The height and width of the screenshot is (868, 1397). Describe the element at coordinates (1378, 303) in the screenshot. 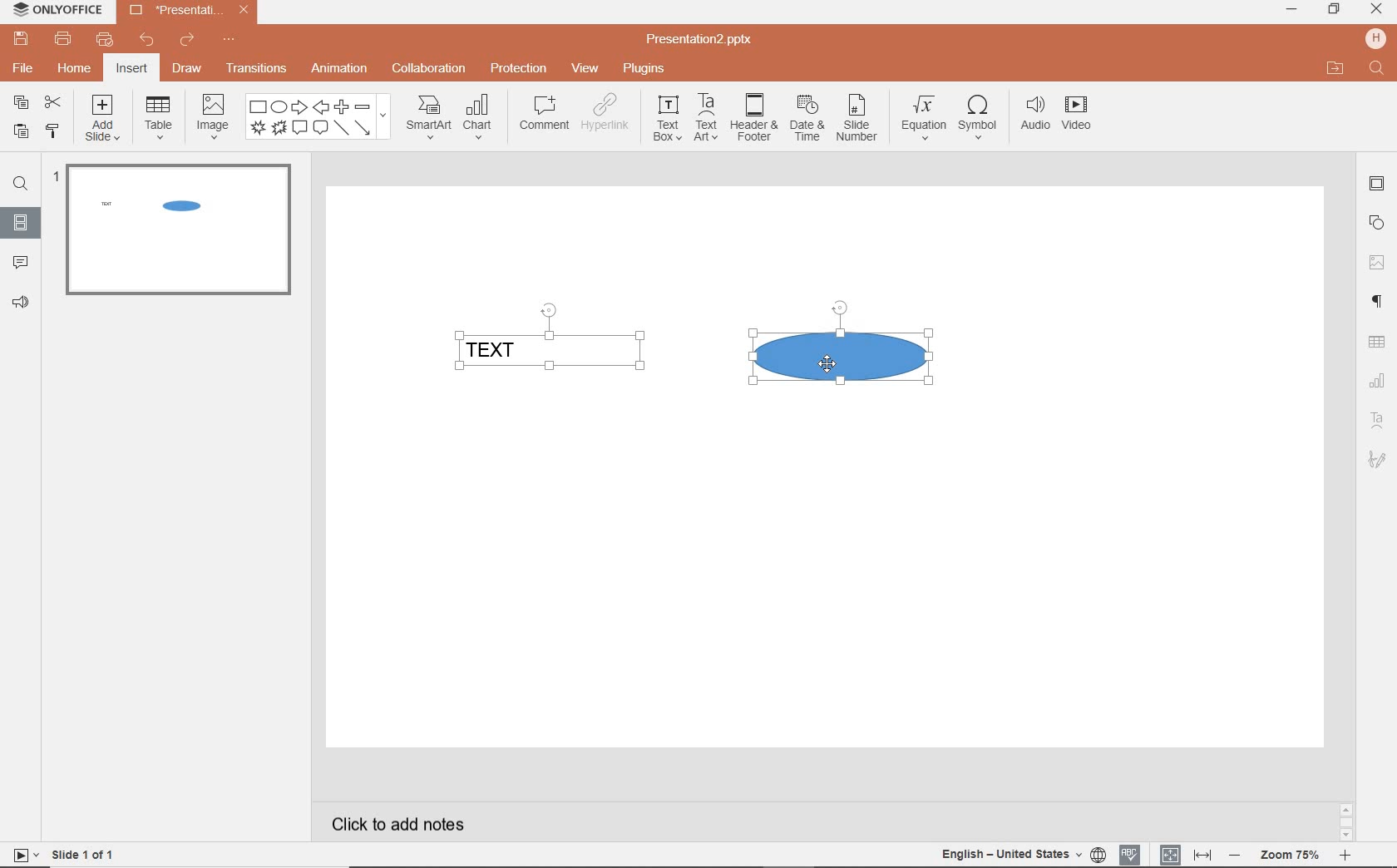

I see `PARAGRAPH SETTINGS` at that location.